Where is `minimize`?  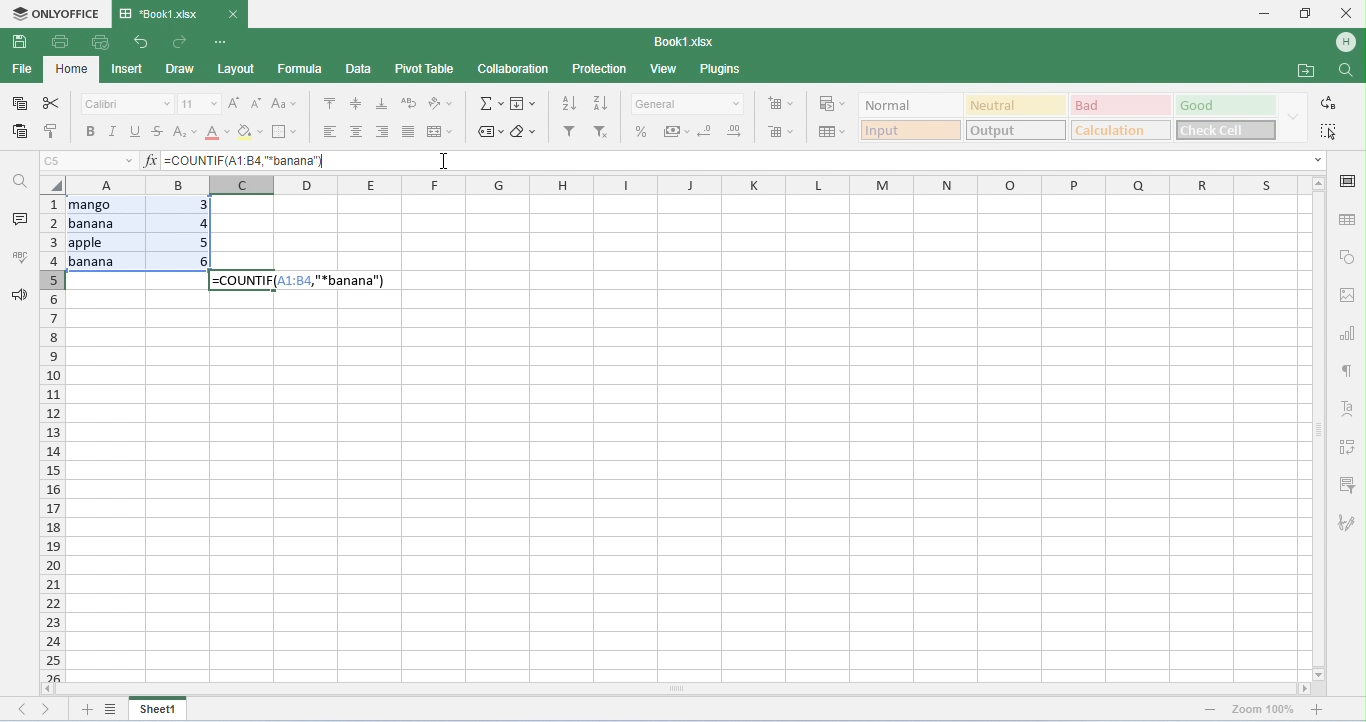
minimize is located at coordinates (1263, 14).